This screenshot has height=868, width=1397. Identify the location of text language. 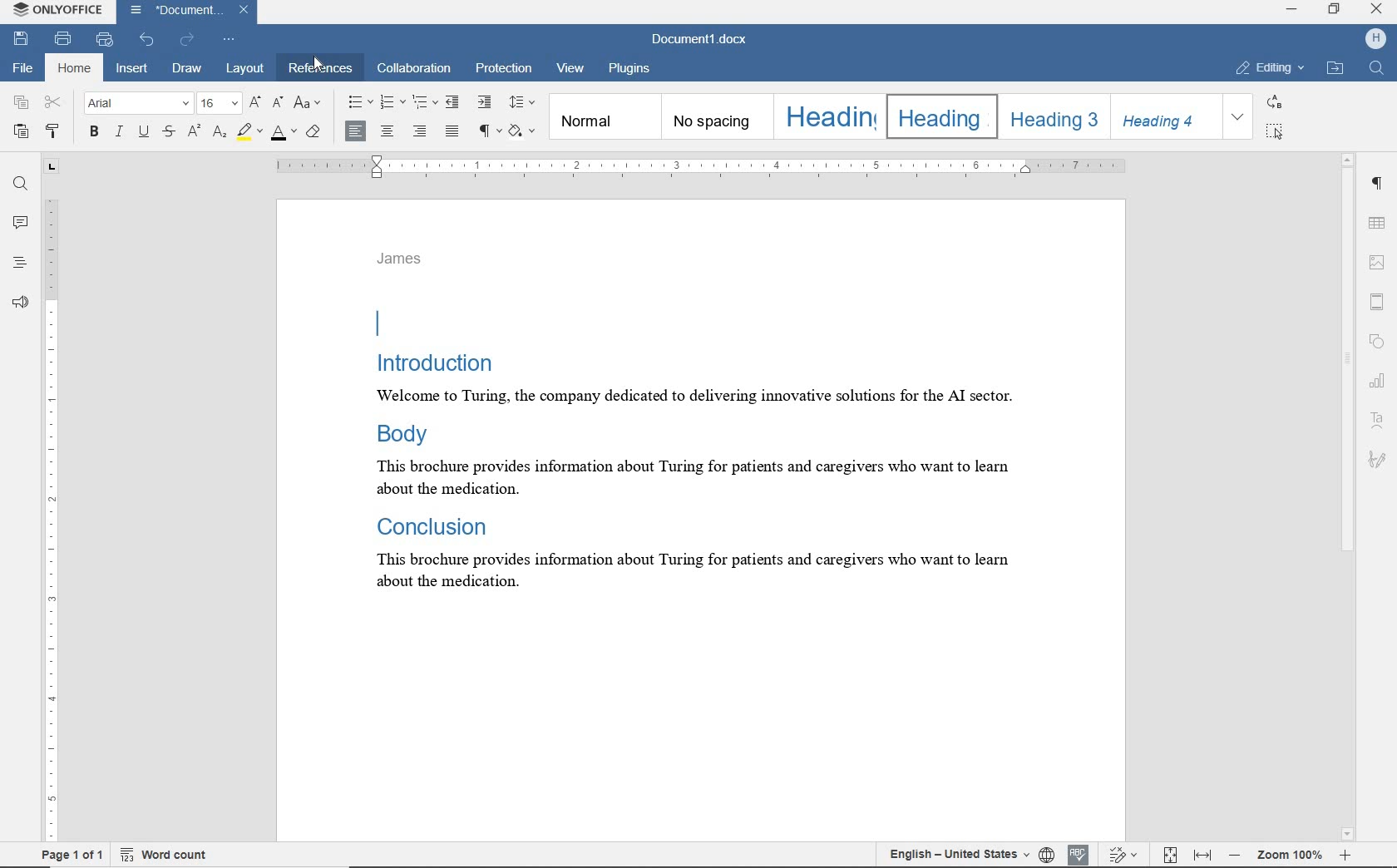
(956, 855).